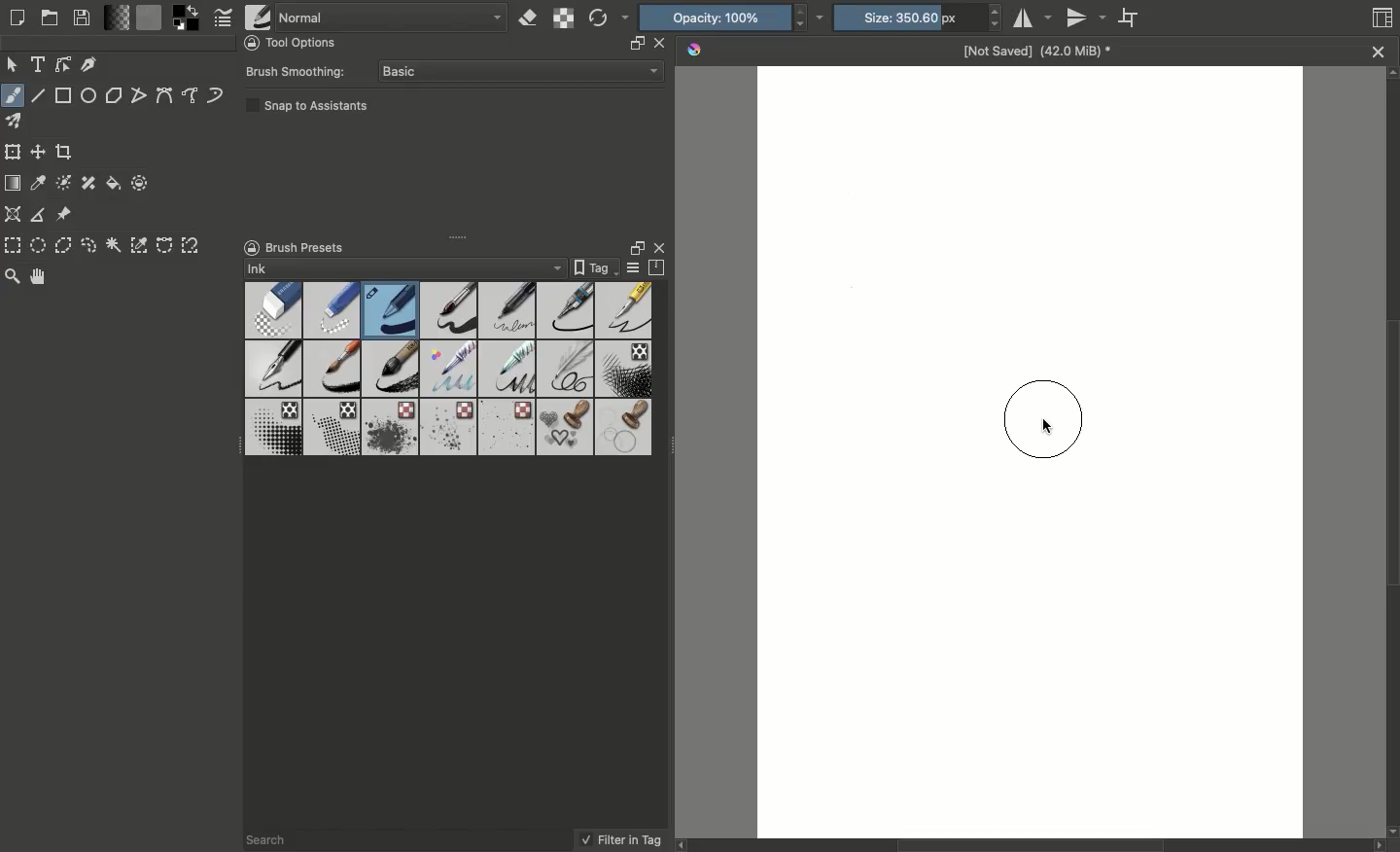 This screenshot has height=852, width=1400. Describe the element at coordinates (634, 247) in the screenshot. I see `Float docker` at that location.